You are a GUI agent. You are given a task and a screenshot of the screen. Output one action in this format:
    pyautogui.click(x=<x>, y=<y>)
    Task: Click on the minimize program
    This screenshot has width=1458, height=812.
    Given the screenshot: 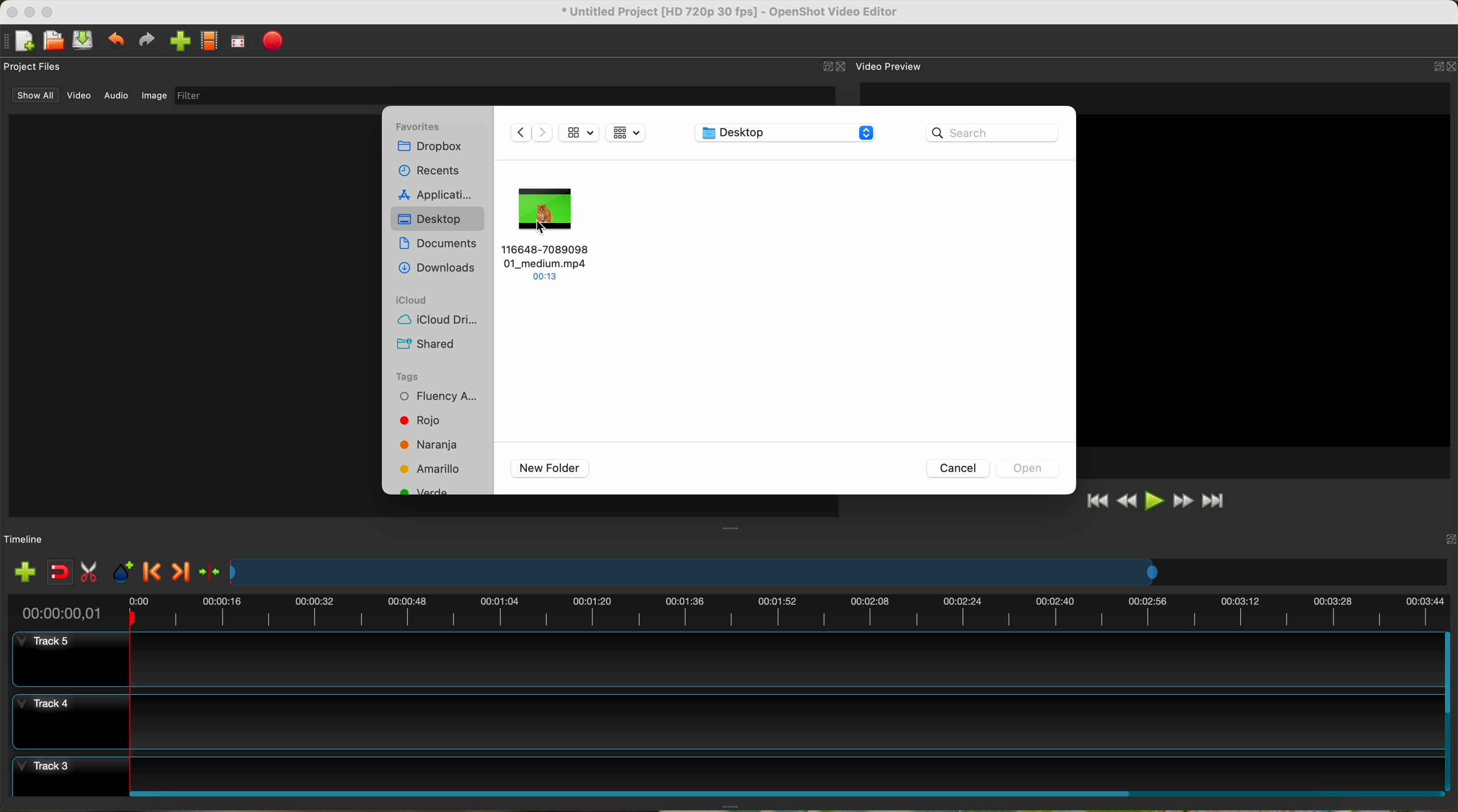 What is the action you would take?
    pyautogui.click(x=31, y=12)
    